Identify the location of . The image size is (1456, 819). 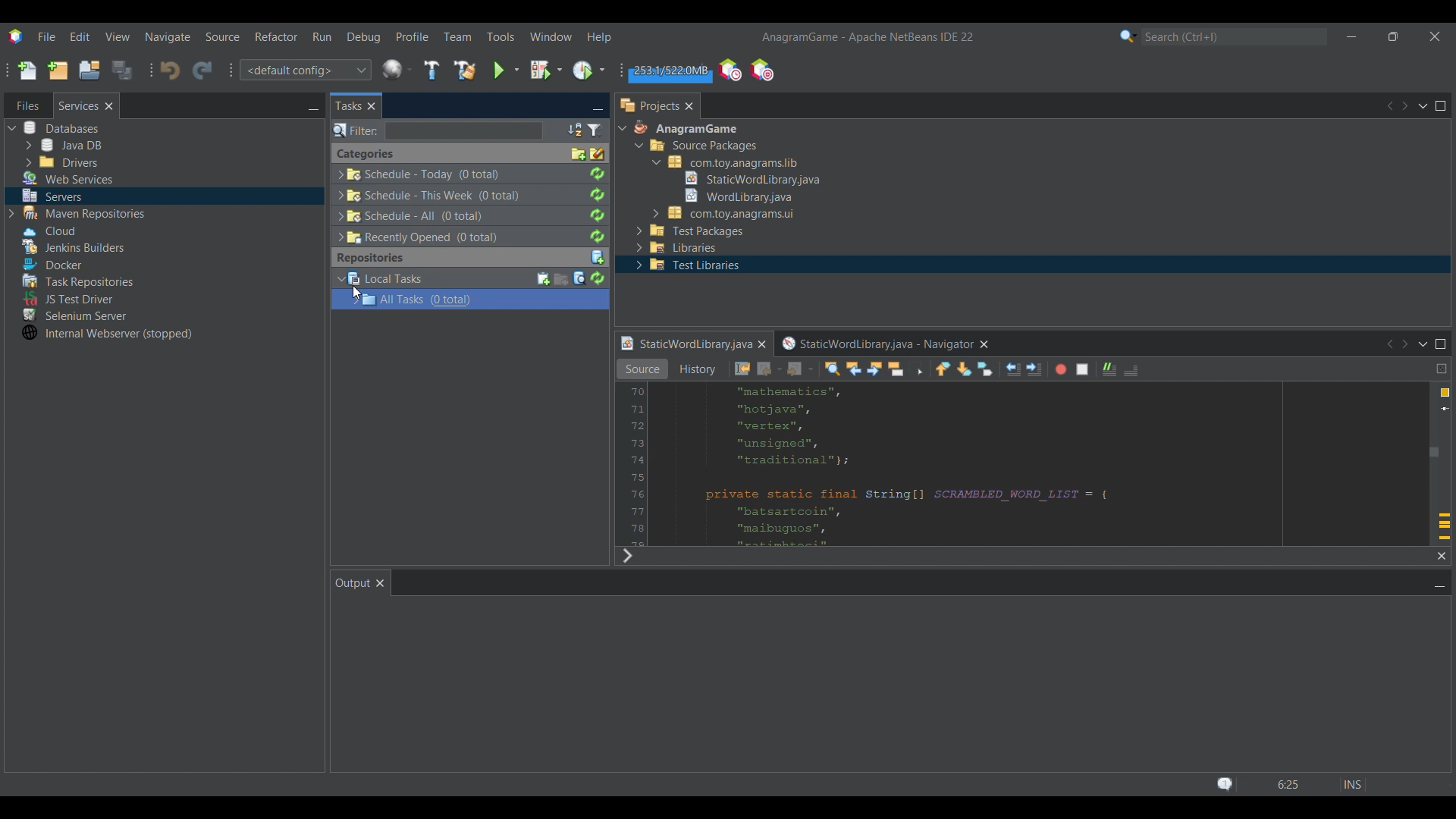
(76, 315).